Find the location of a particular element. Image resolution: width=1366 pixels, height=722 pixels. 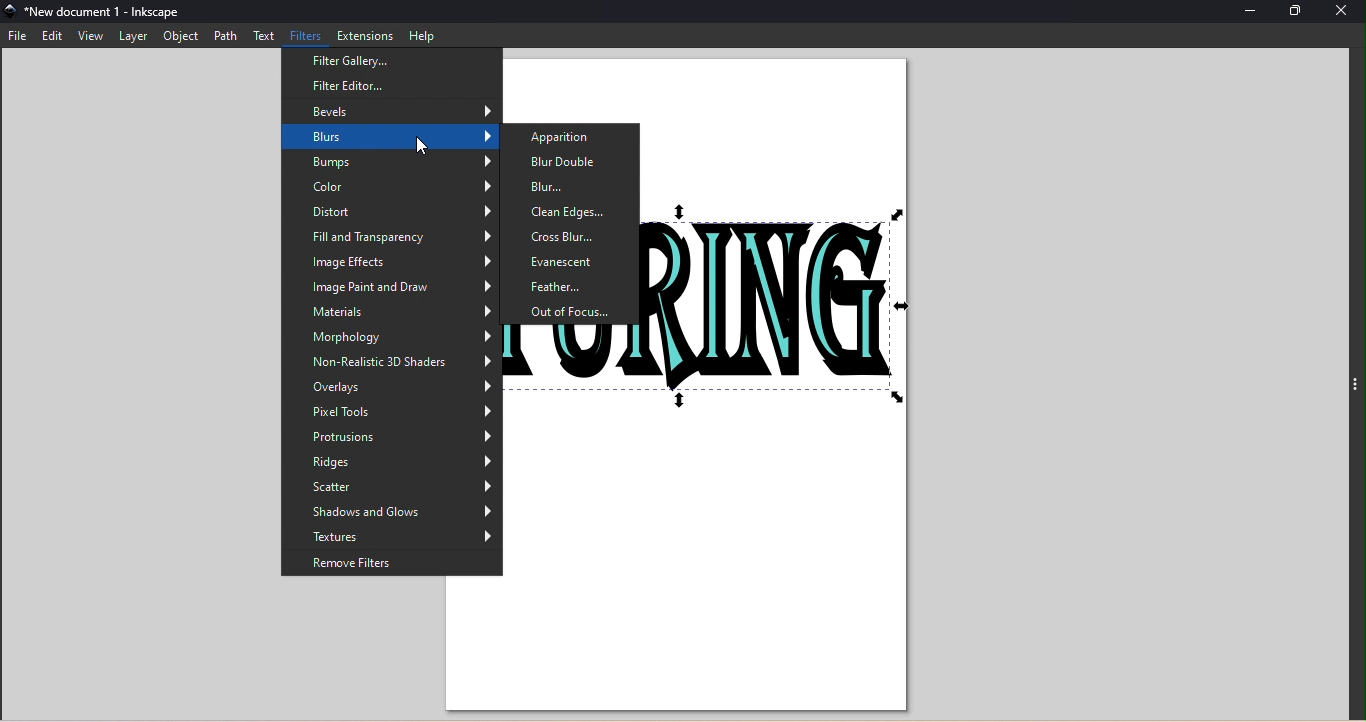

Edit is located at coordinates (54, 36).